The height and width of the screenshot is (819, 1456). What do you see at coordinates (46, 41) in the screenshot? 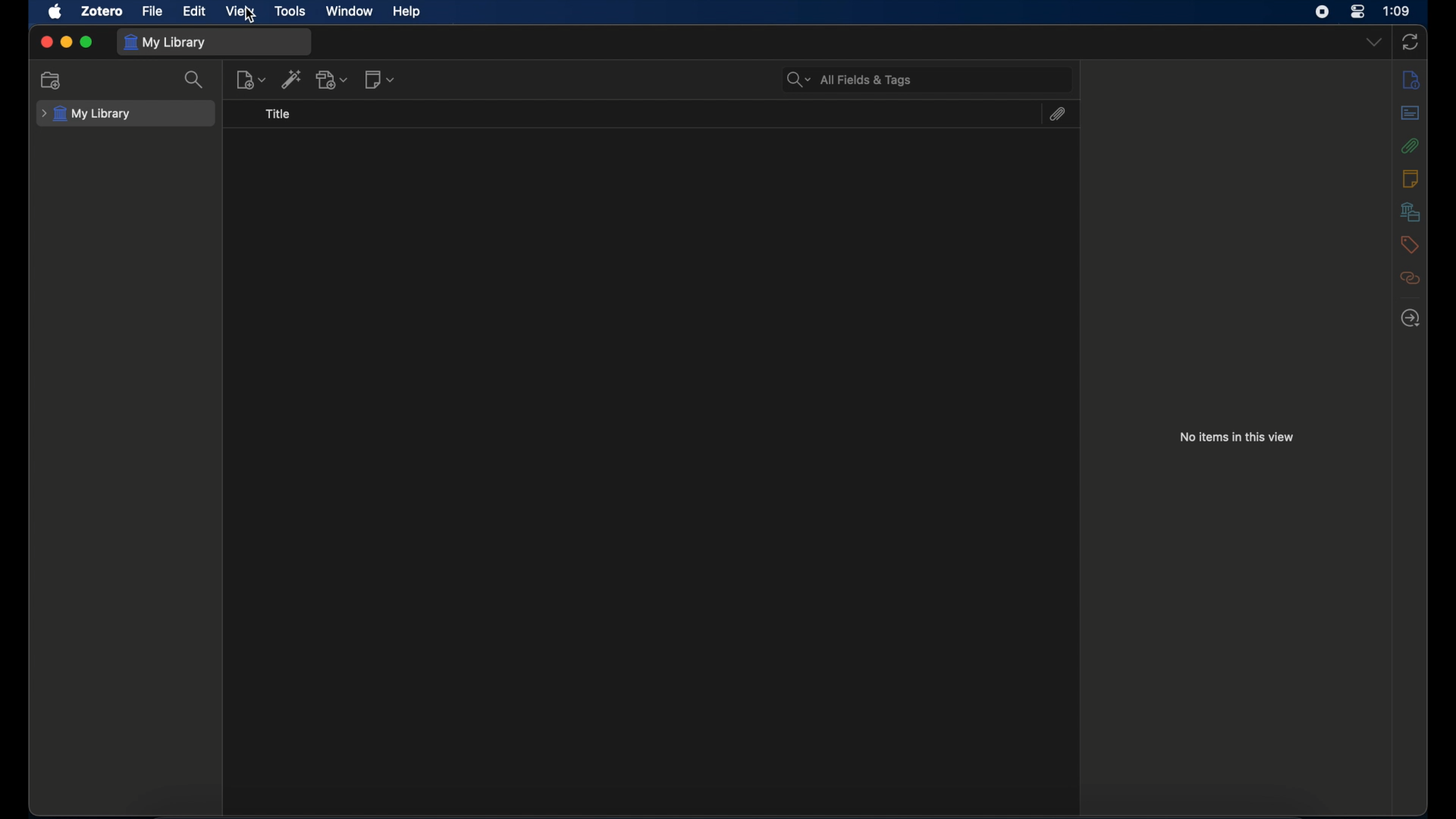
I see `close` at bounding box center [46, 41].